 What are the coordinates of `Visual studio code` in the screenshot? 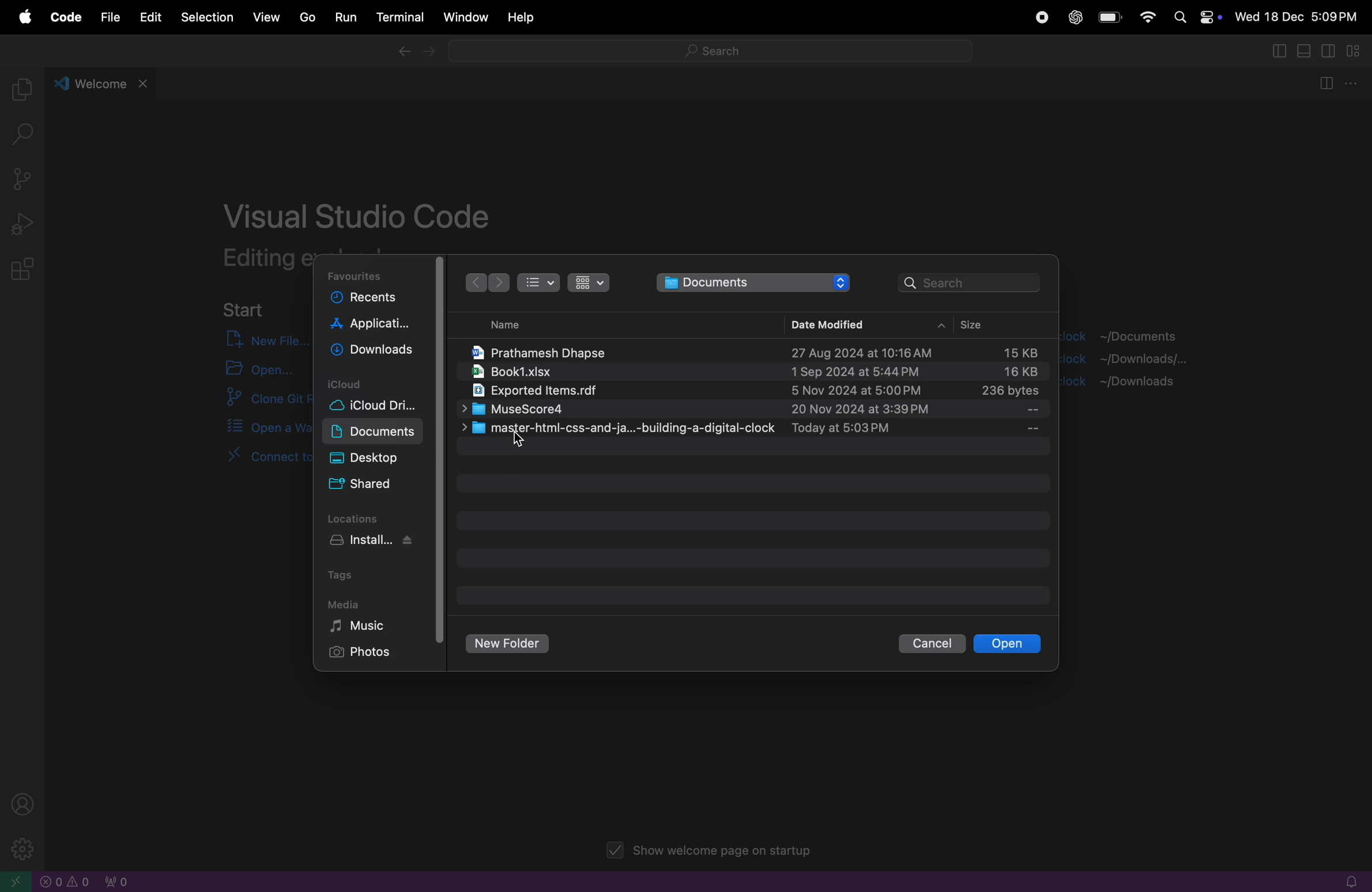 It's located at (360, 211).